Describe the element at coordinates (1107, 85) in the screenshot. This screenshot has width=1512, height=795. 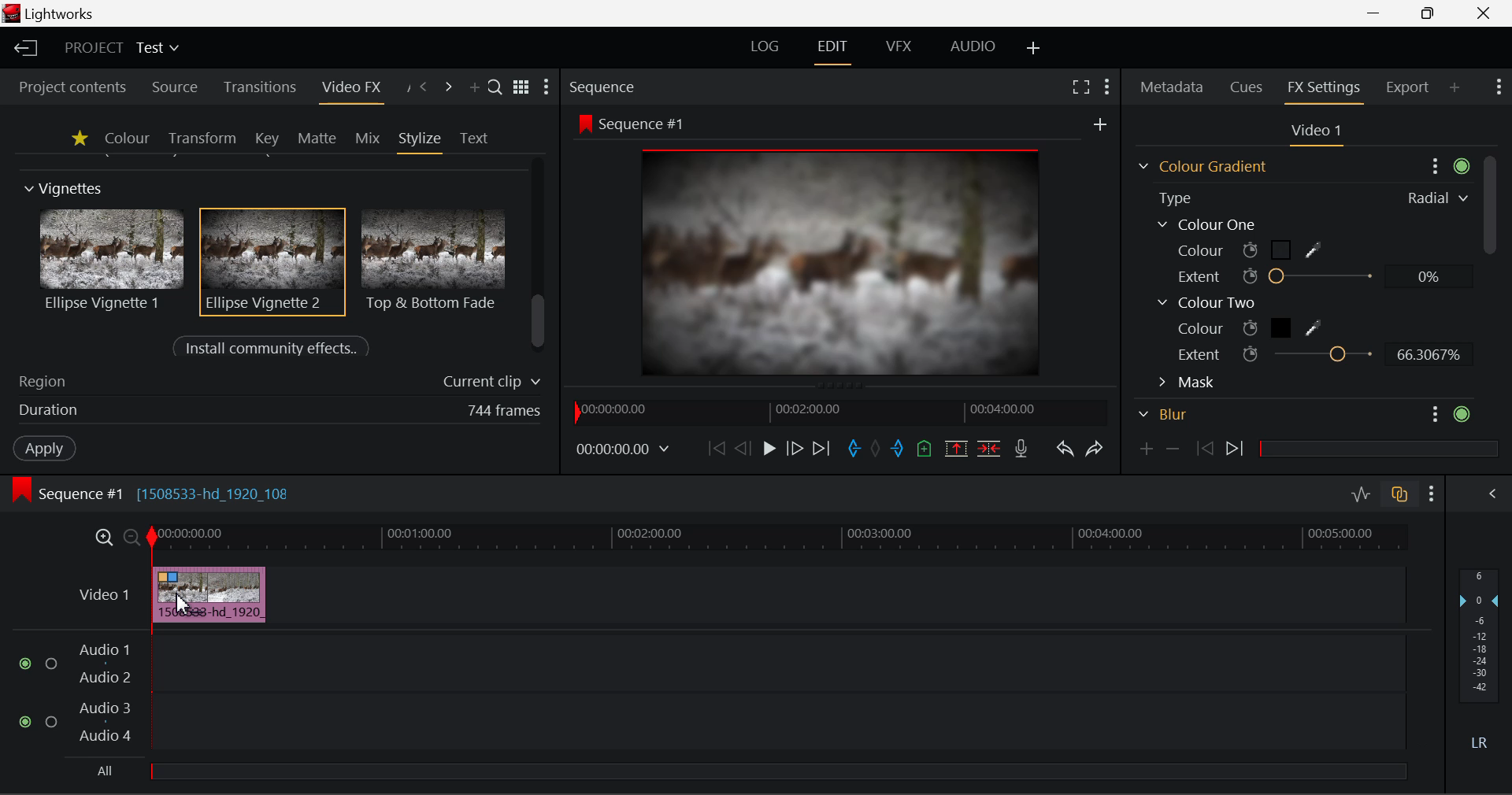
I see `Show Settings` at that location.